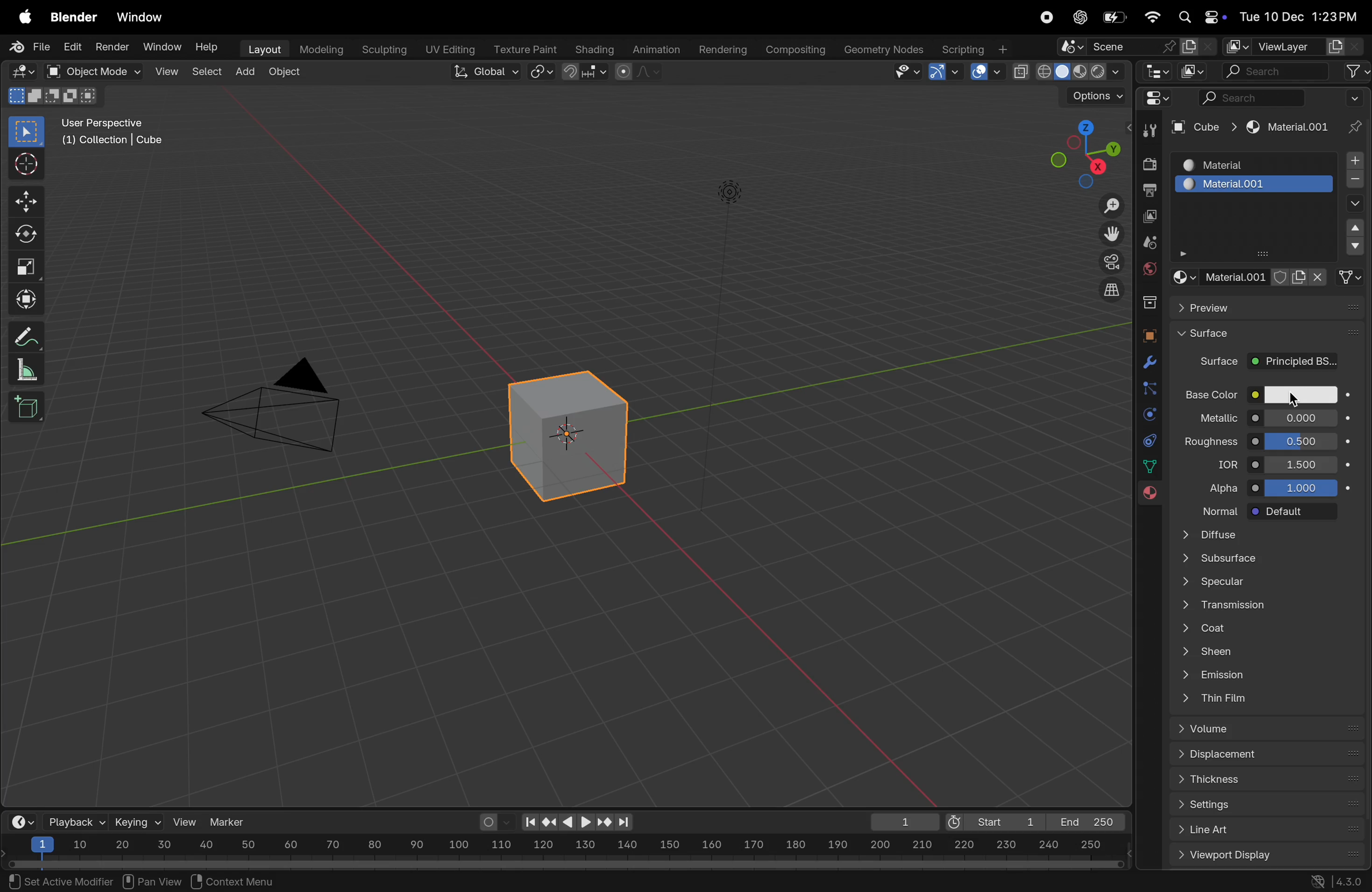 Image resolution: width=1372 pixels, height=892 pixels. I want to click on scene, so click(1137, 47).